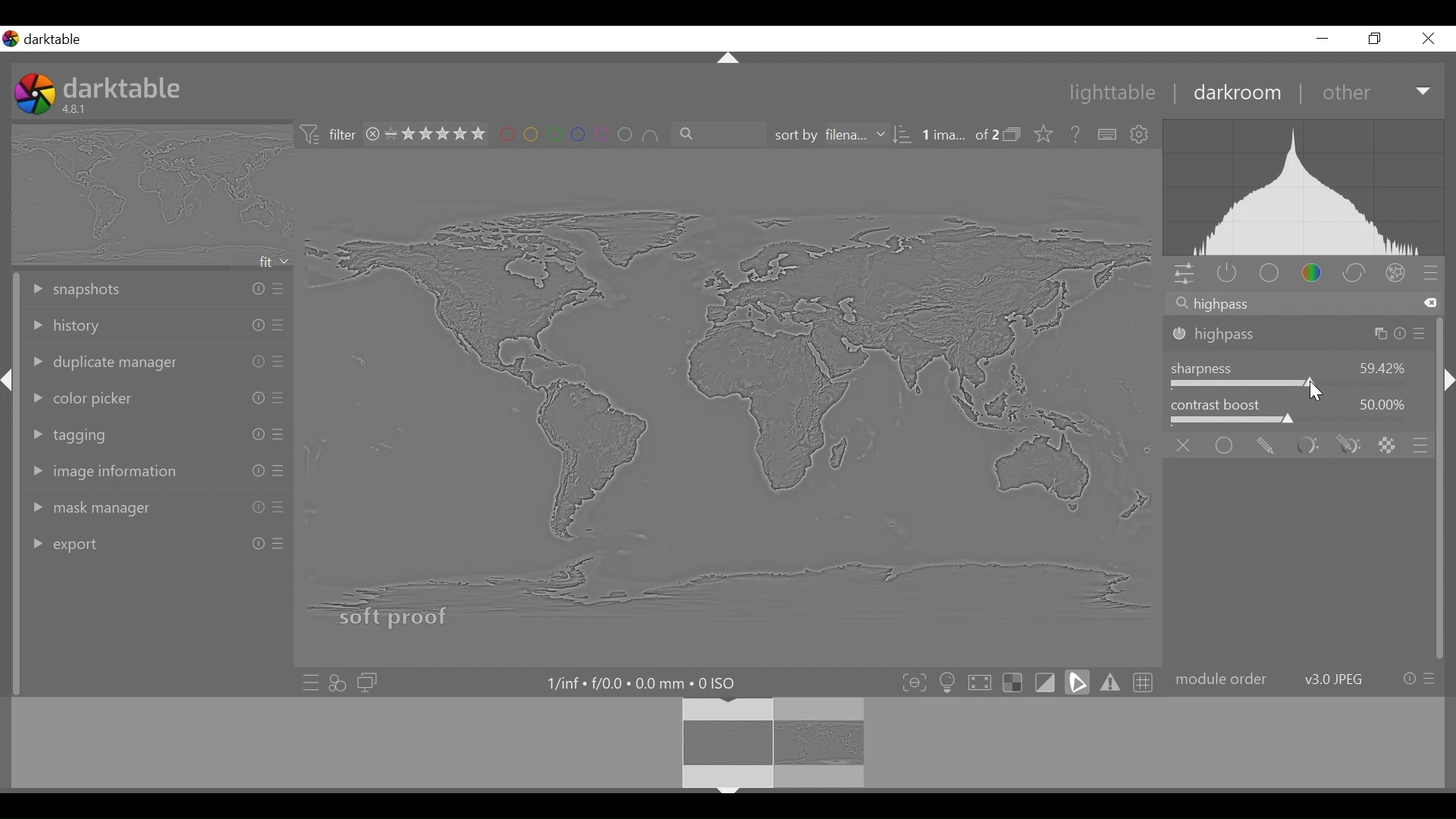  I want to click on toggle display indication, so click(1048, 682).